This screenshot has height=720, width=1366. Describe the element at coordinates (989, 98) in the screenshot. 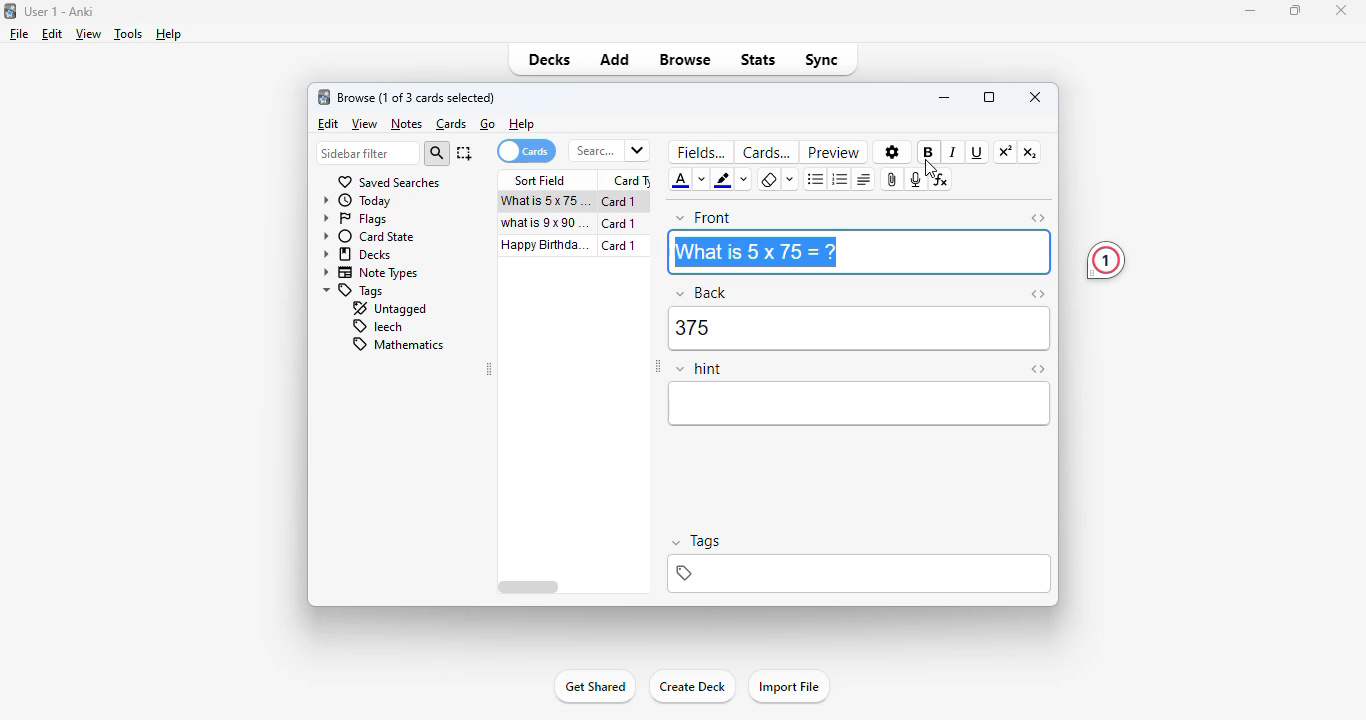

I see `maximize` at that location.